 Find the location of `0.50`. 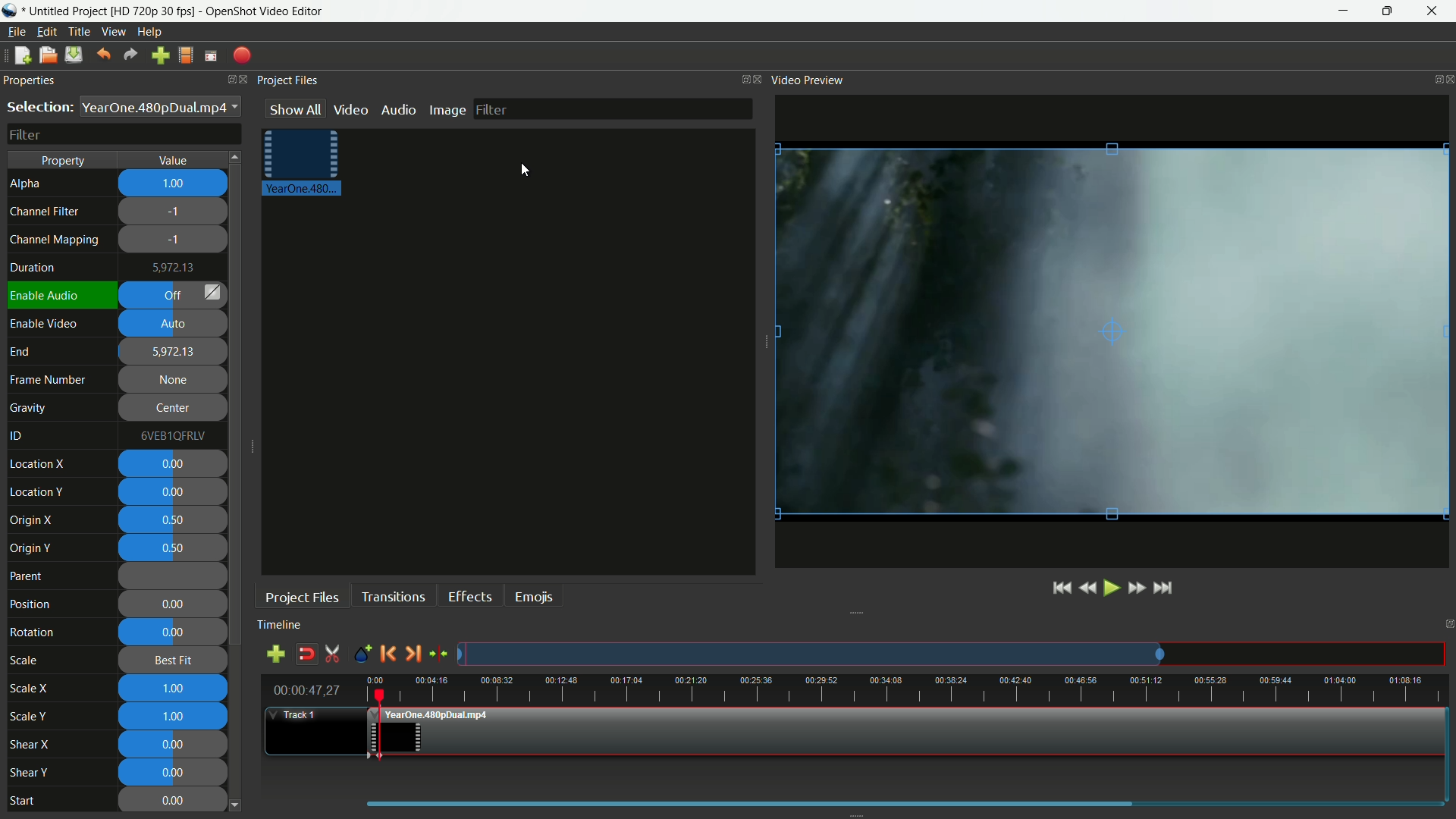

0.50 is located at coordinates (176, 519).